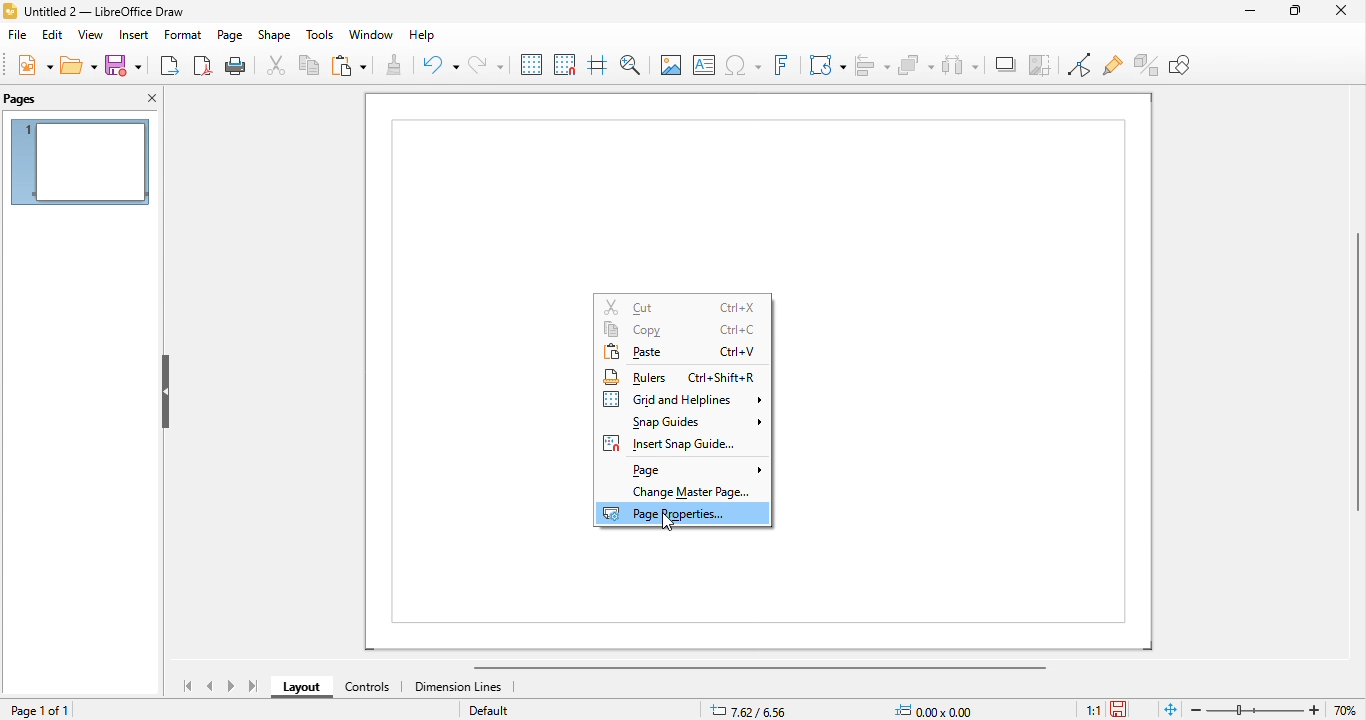 This screenshot has height=720, width=1366. What do you see at coordinates (348, 67) in the screenshot?
I see `paste` at bounding box center [348, 67].